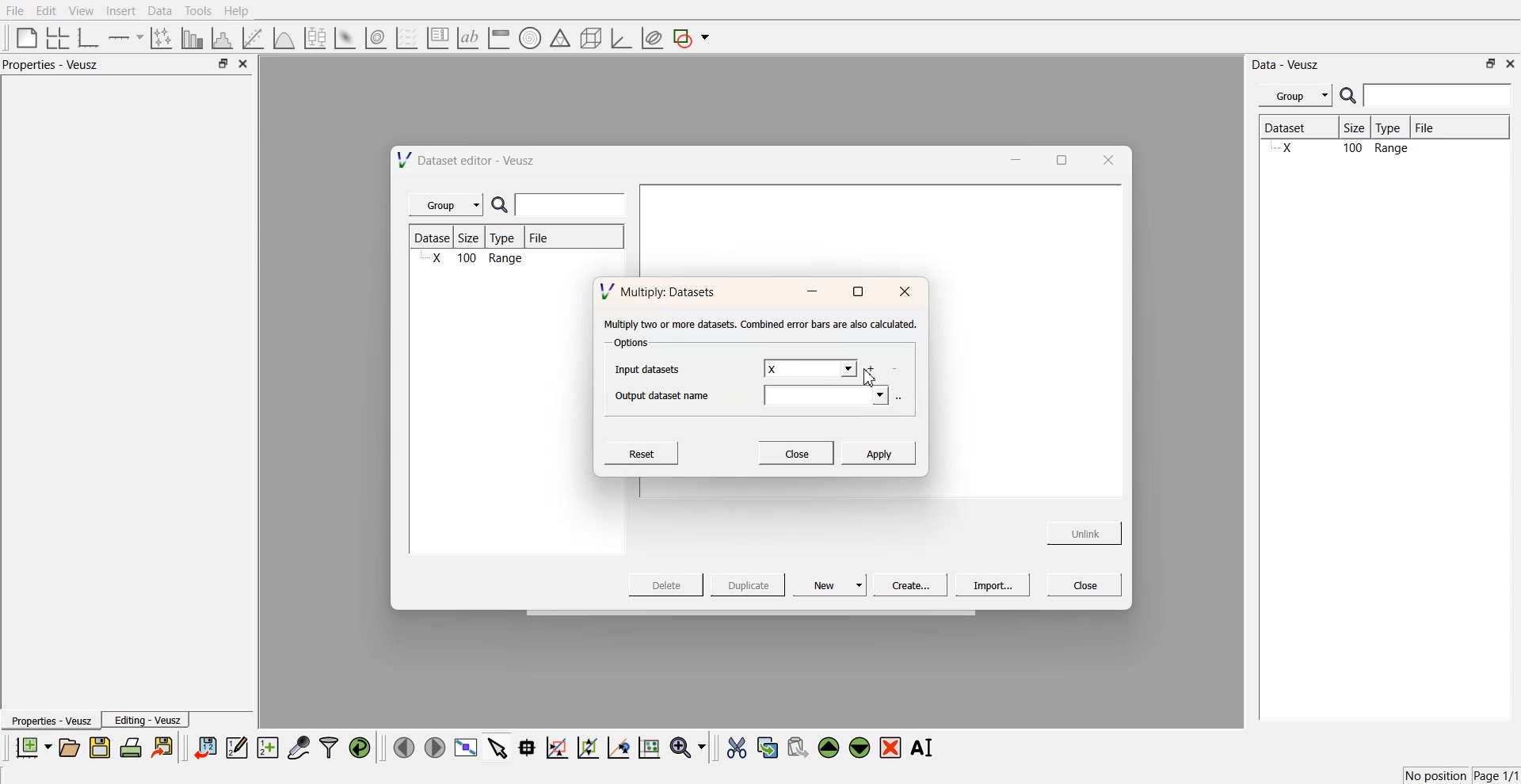 This screenshot has width=1521, height=784. I want to click on new documents, so click(32, 747).